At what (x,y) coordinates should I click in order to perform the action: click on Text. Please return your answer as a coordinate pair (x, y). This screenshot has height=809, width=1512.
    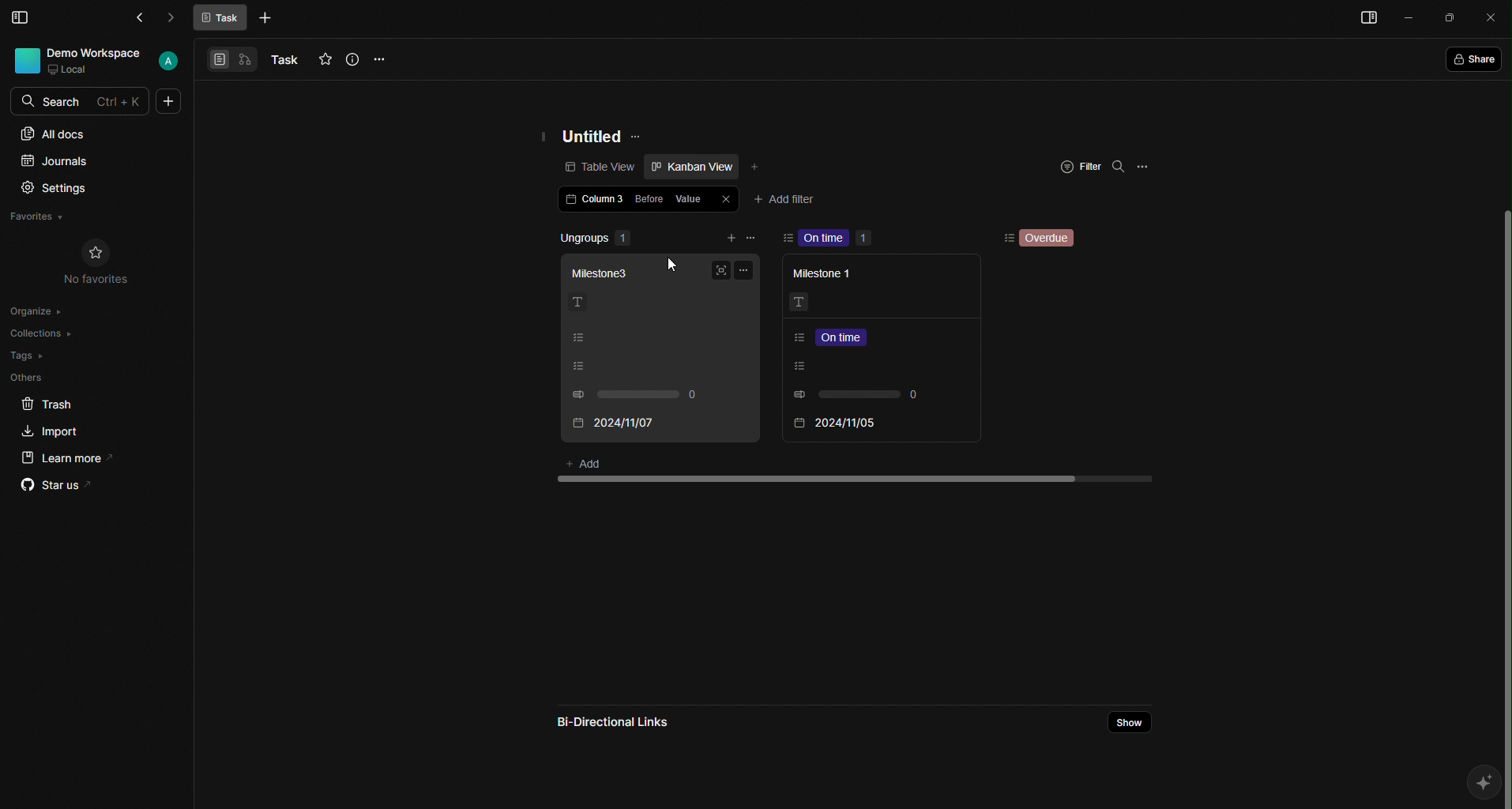
    Looking at the image, I should click on (799, 302).